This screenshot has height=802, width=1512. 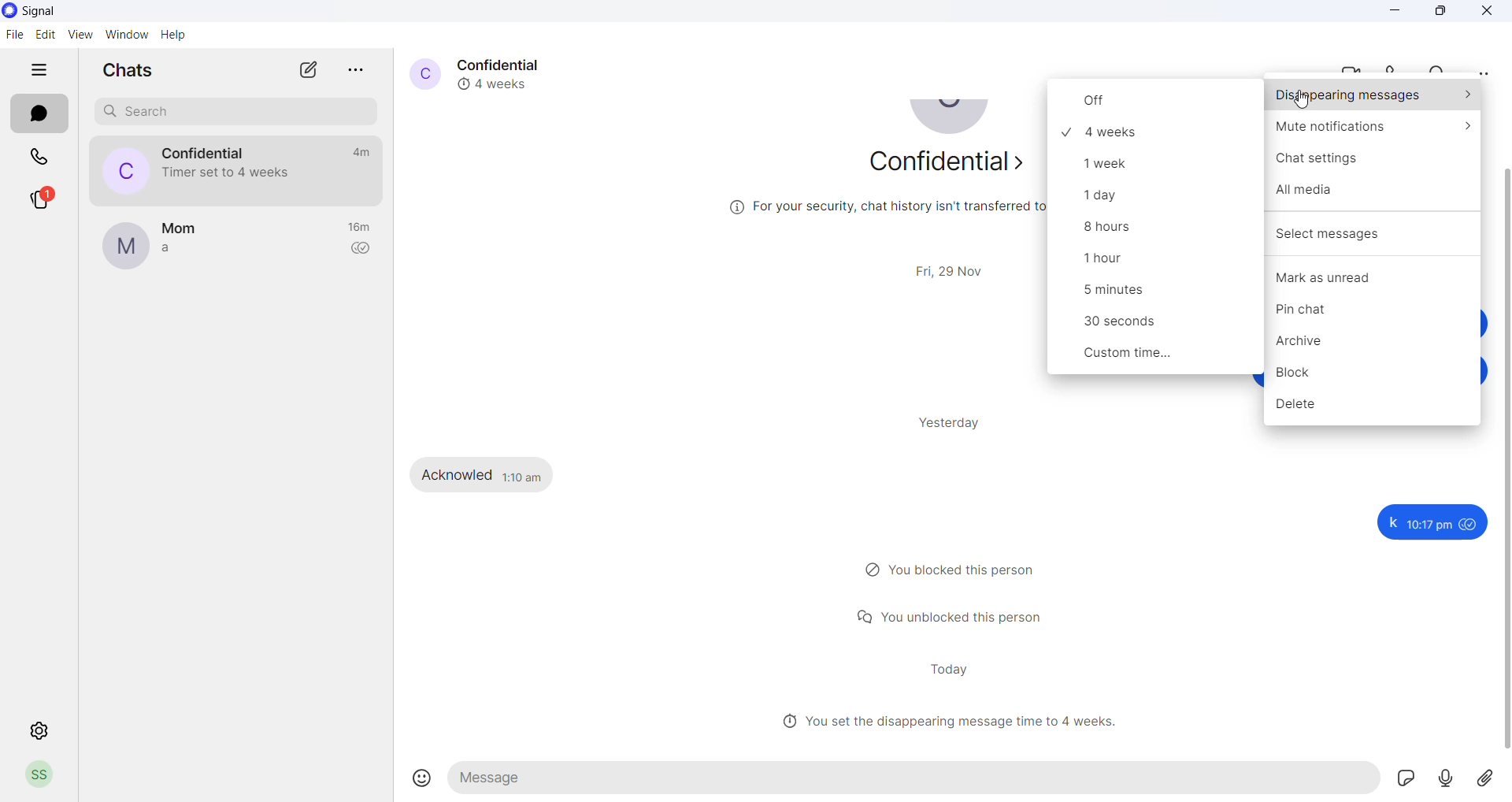 What do you see at coordinates (358, 69) in the screenshot?
I see `more options` at bounding box center [358, 69].